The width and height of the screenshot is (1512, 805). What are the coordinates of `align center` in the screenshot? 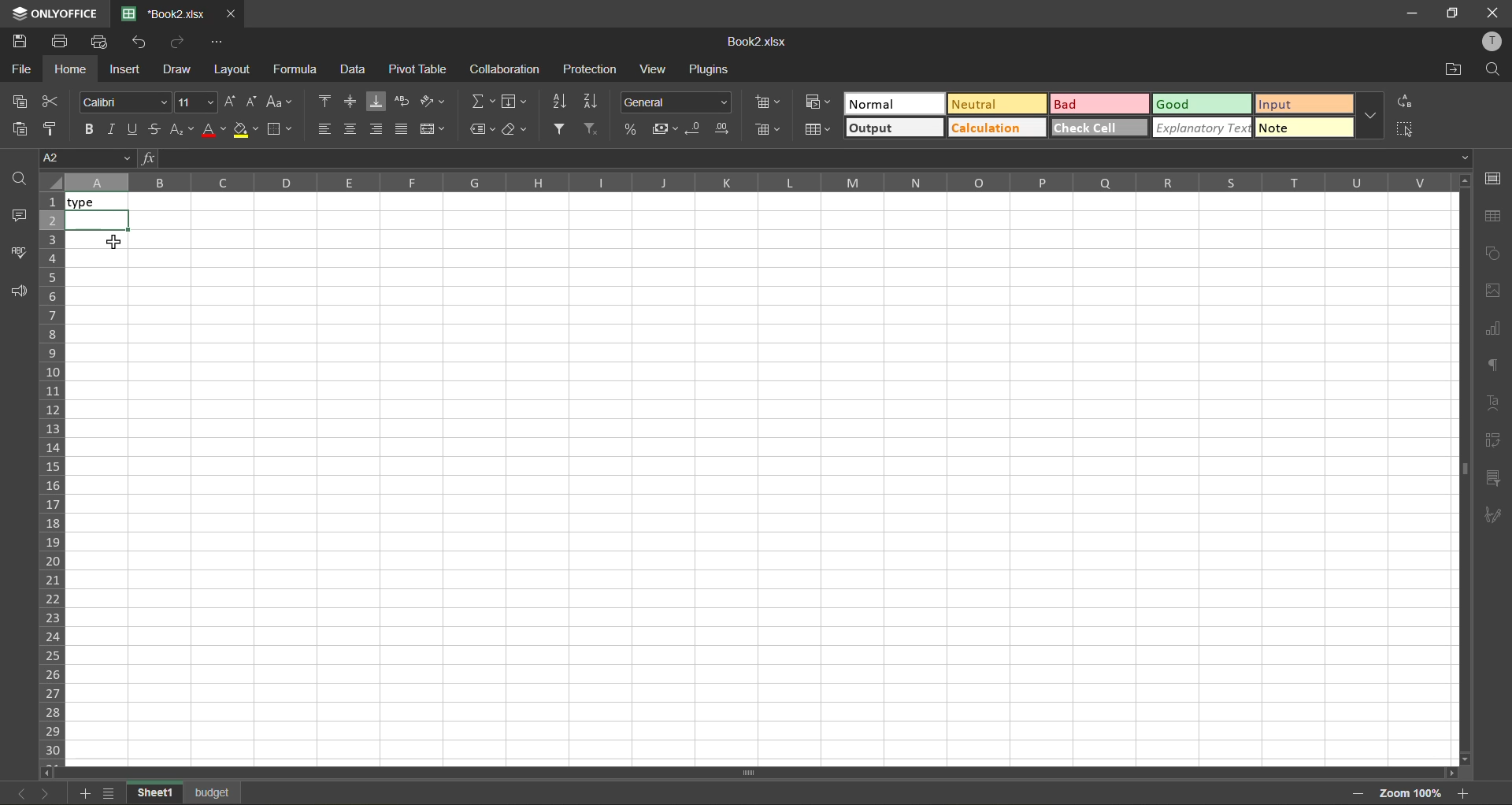 It's located at (350, 129).